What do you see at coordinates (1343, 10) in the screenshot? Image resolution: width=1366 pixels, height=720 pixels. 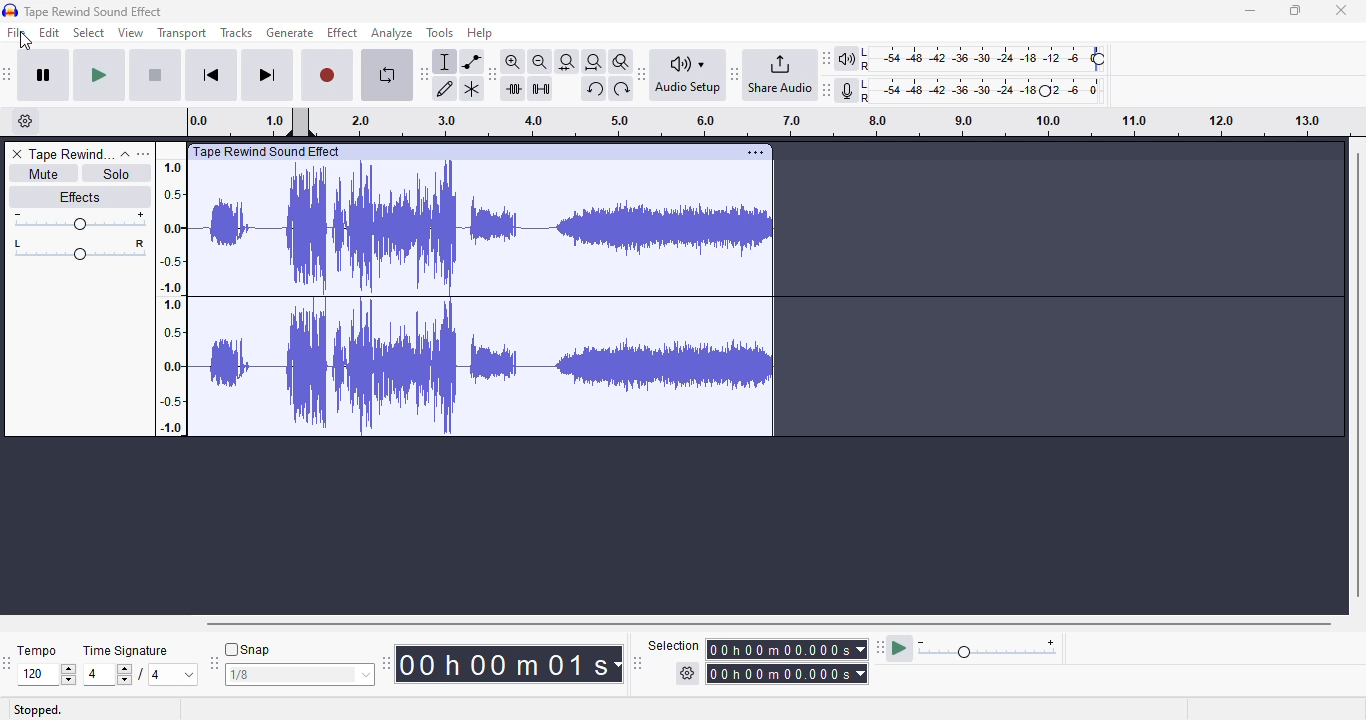 I see `close` at bounding box center [1343, 10].